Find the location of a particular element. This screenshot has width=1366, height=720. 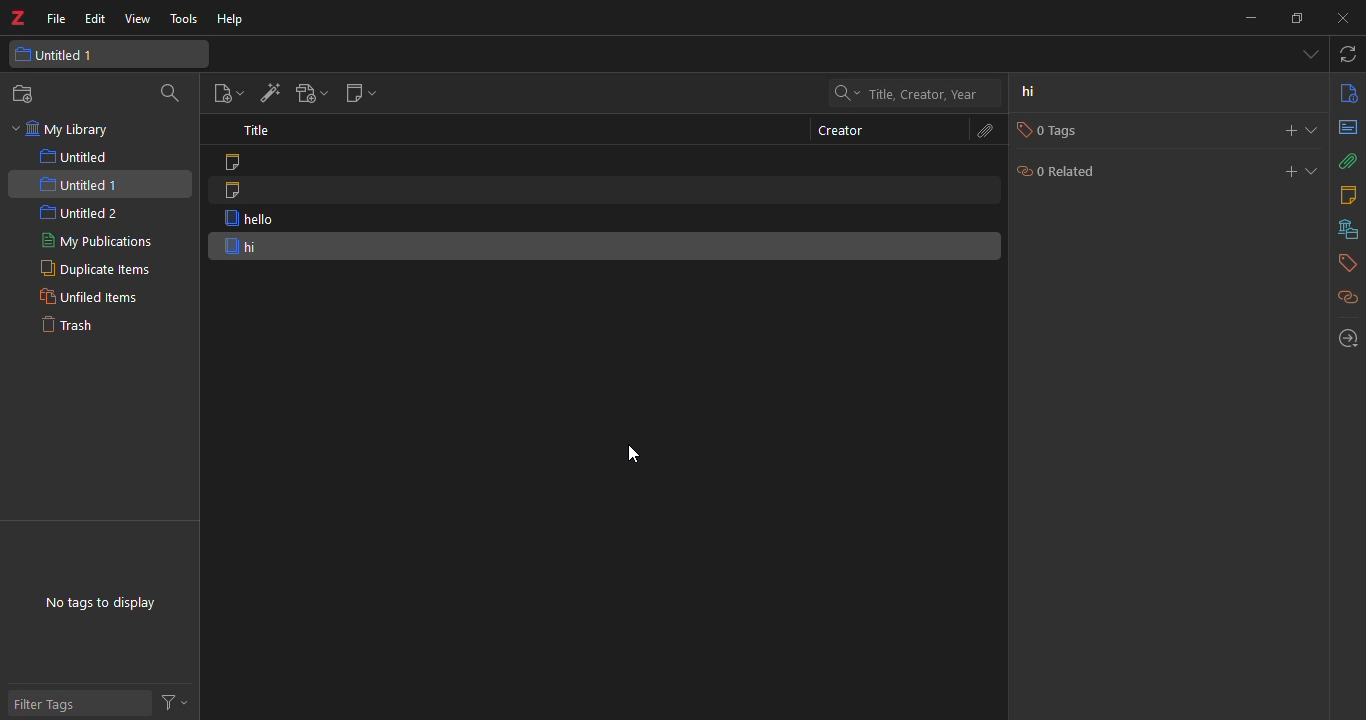

hello is located at coordinates (250, 218).